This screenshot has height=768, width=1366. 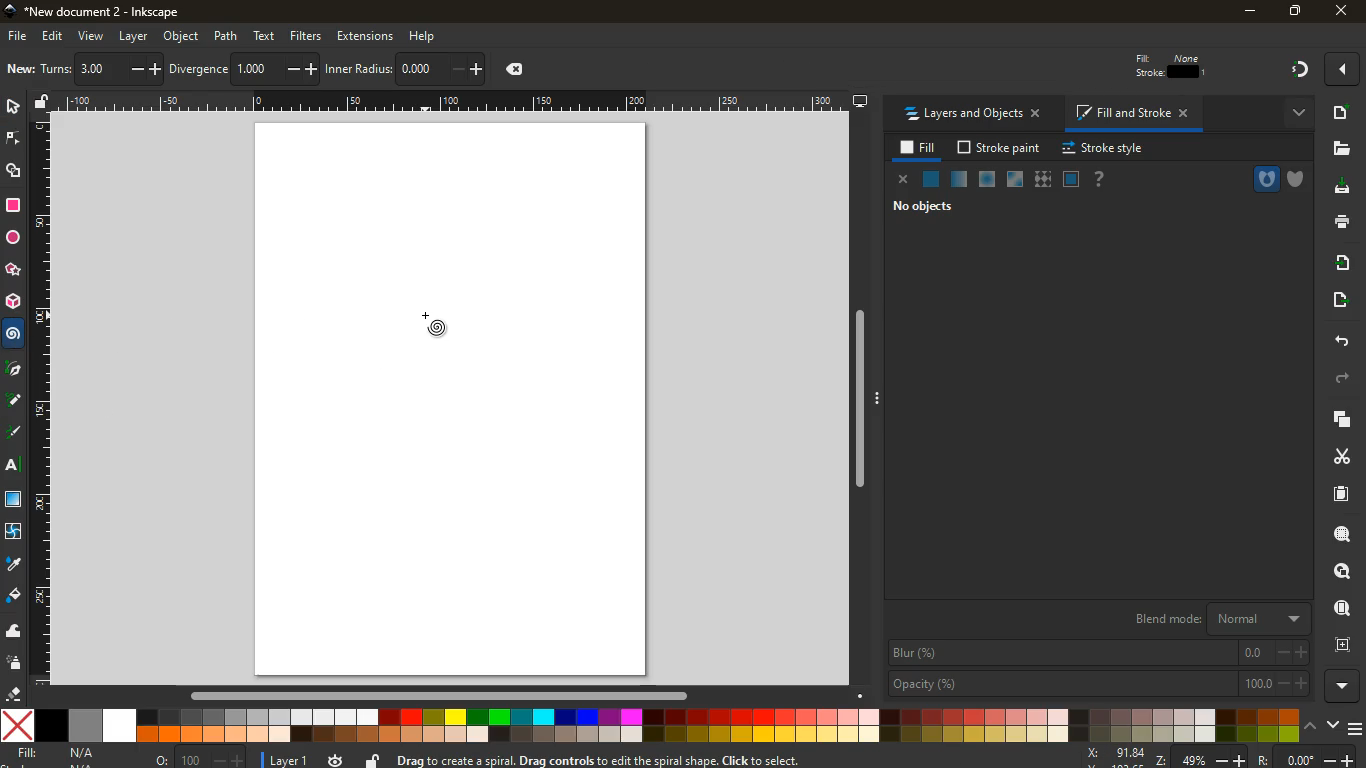 I want to click on frame, so click(x=1341, y=647).